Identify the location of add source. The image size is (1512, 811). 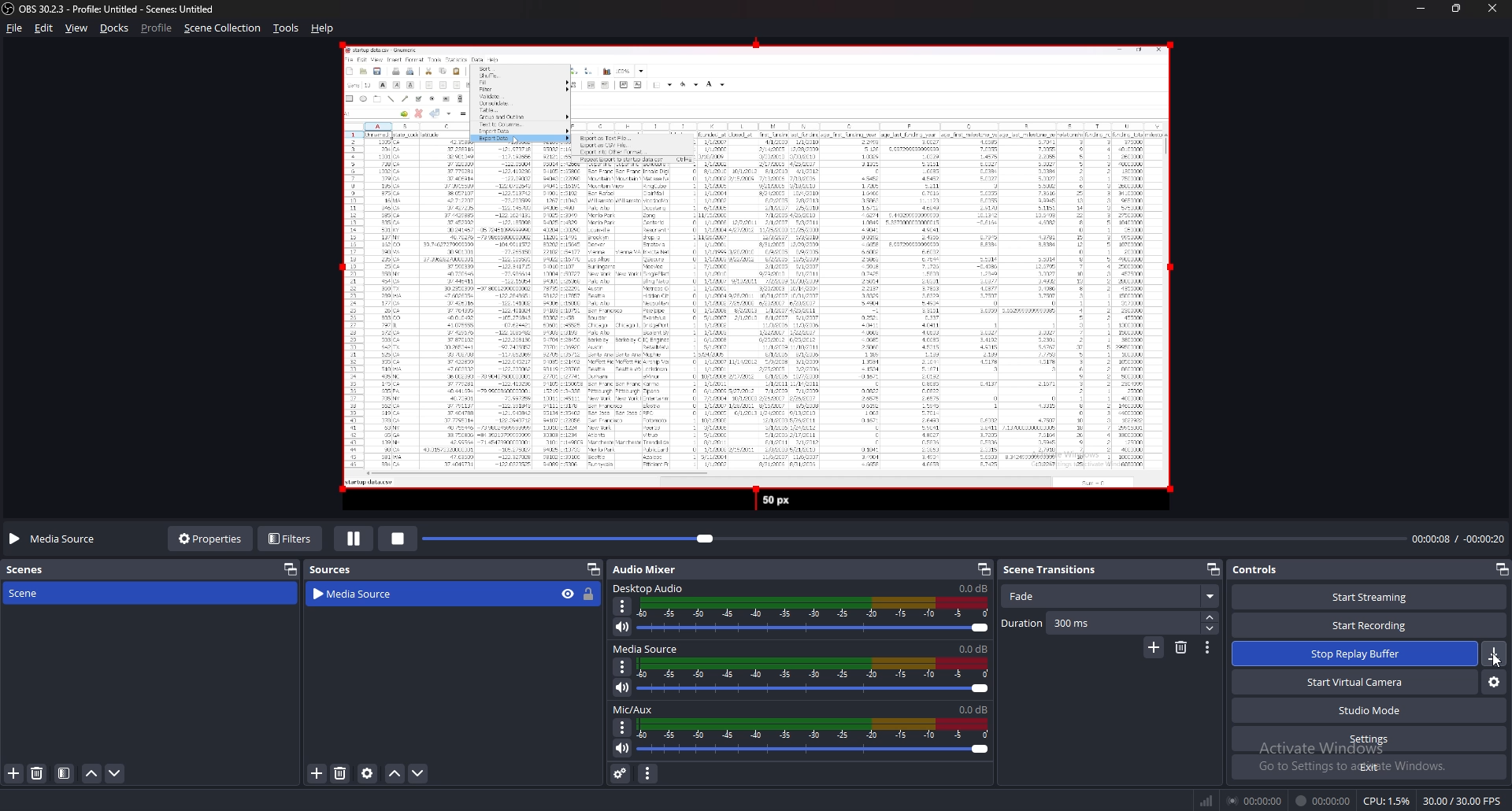
(317, 773).